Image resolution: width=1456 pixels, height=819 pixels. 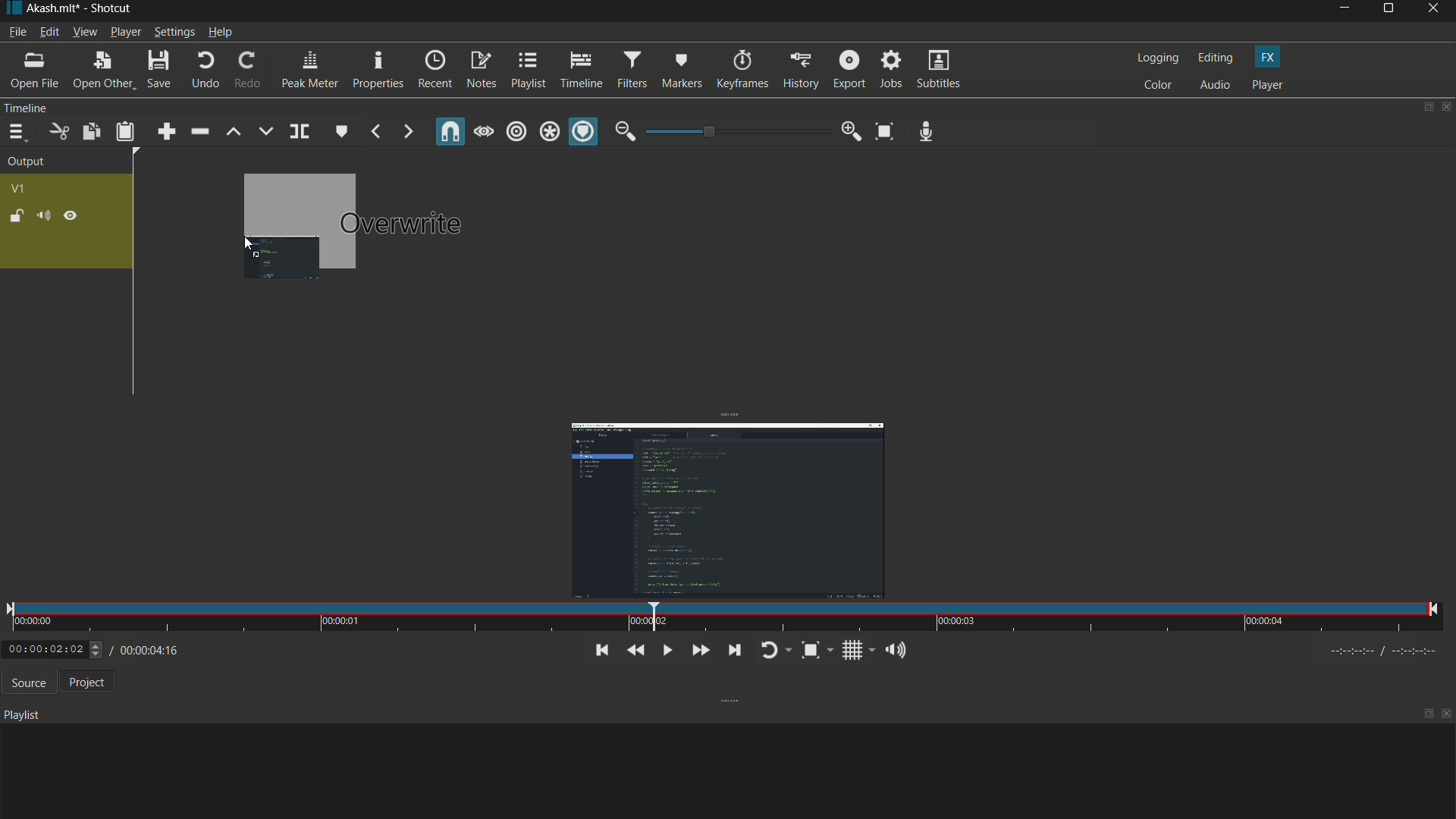 I want to click on zoom out, so click(x=625, y=131).